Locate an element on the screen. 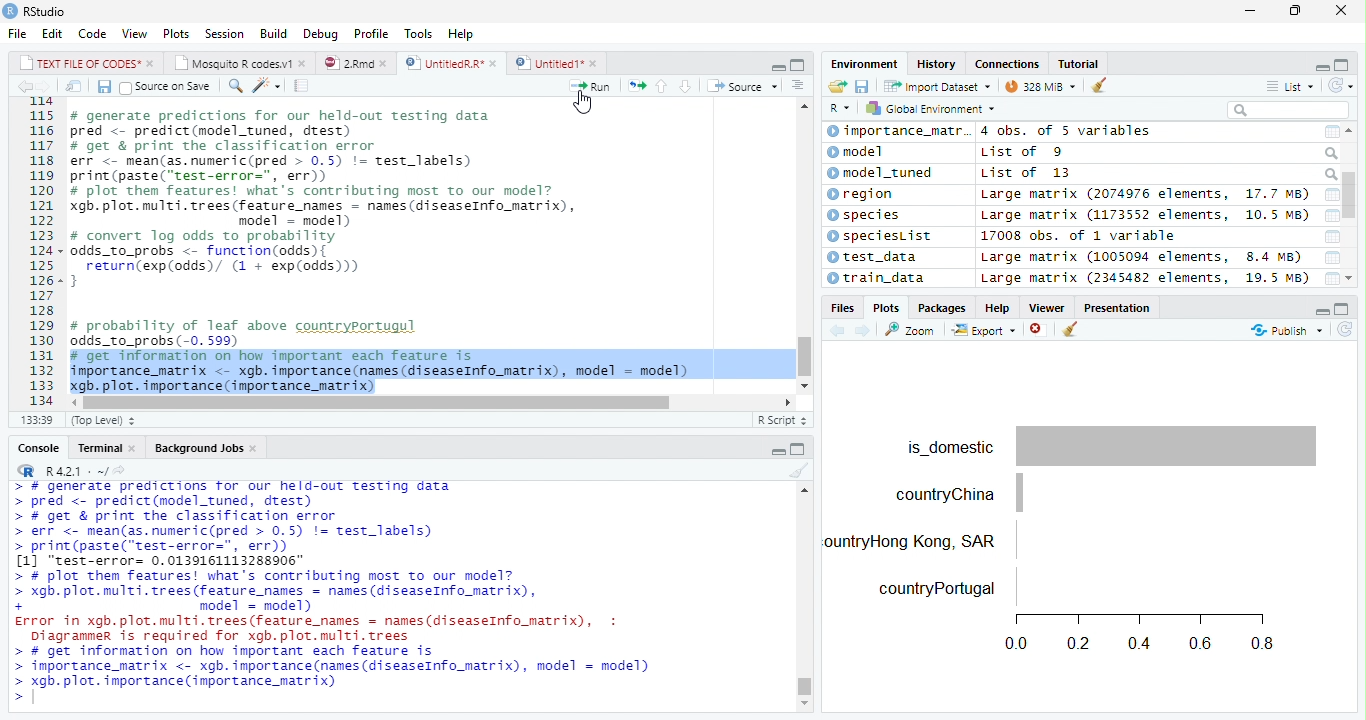  Restore Down is located at coordinates (1294, 11).